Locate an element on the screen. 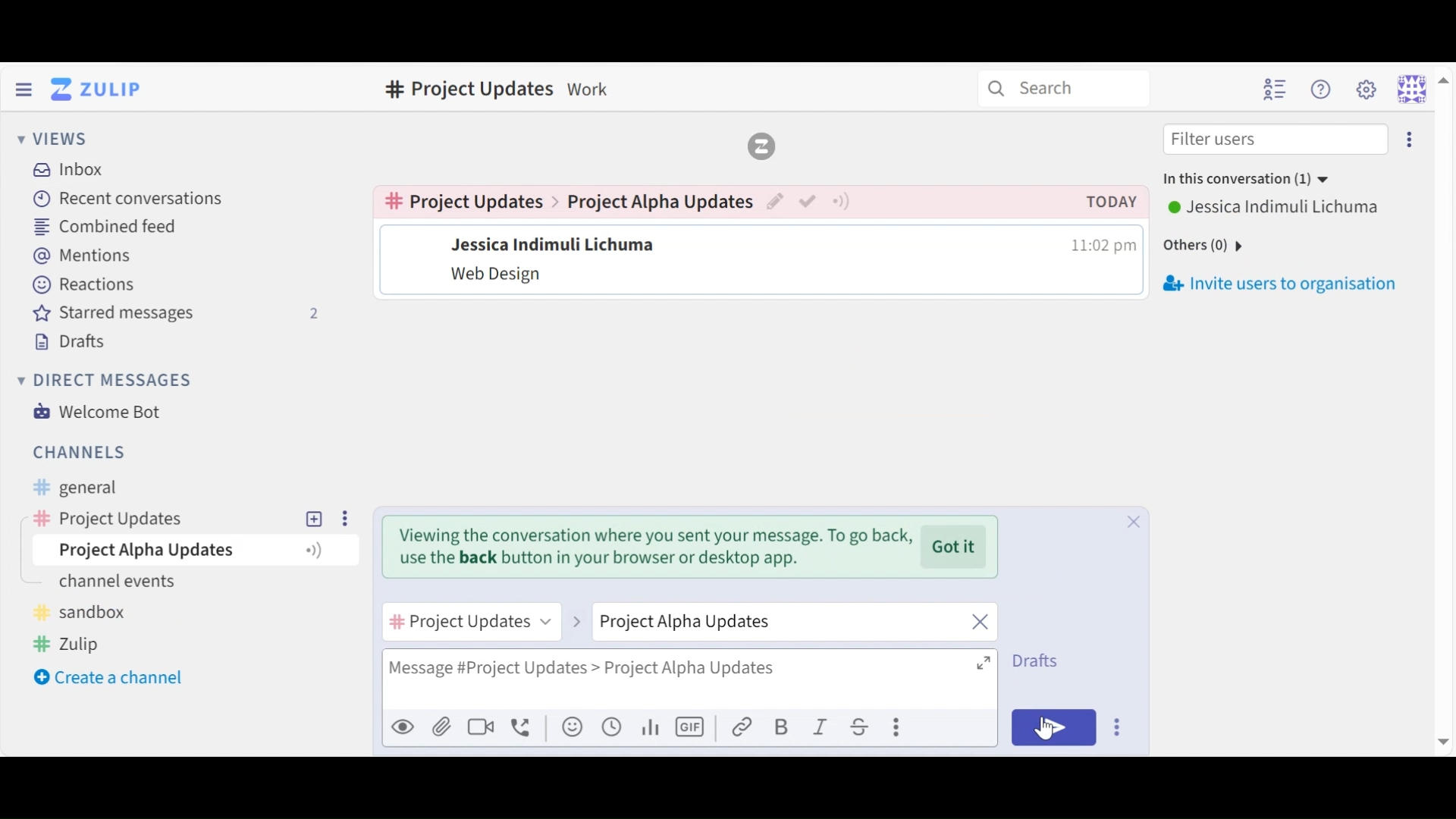 The image size is (1456, 819). Welcome Bot is located at coordinates (102, 412).